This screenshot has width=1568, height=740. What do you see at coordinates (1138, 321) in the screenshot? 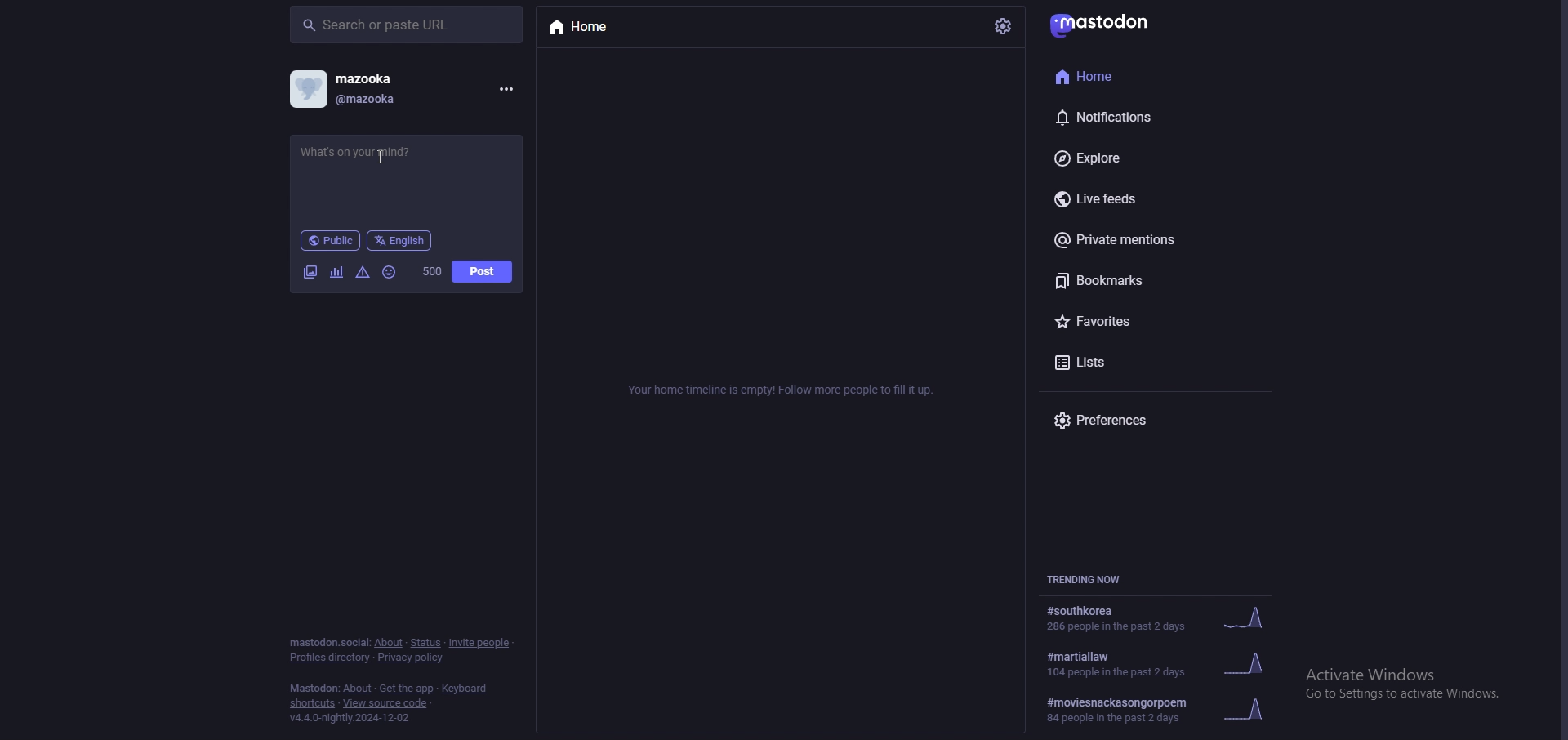
I see `favourites` at bounding box center [1138, 321].